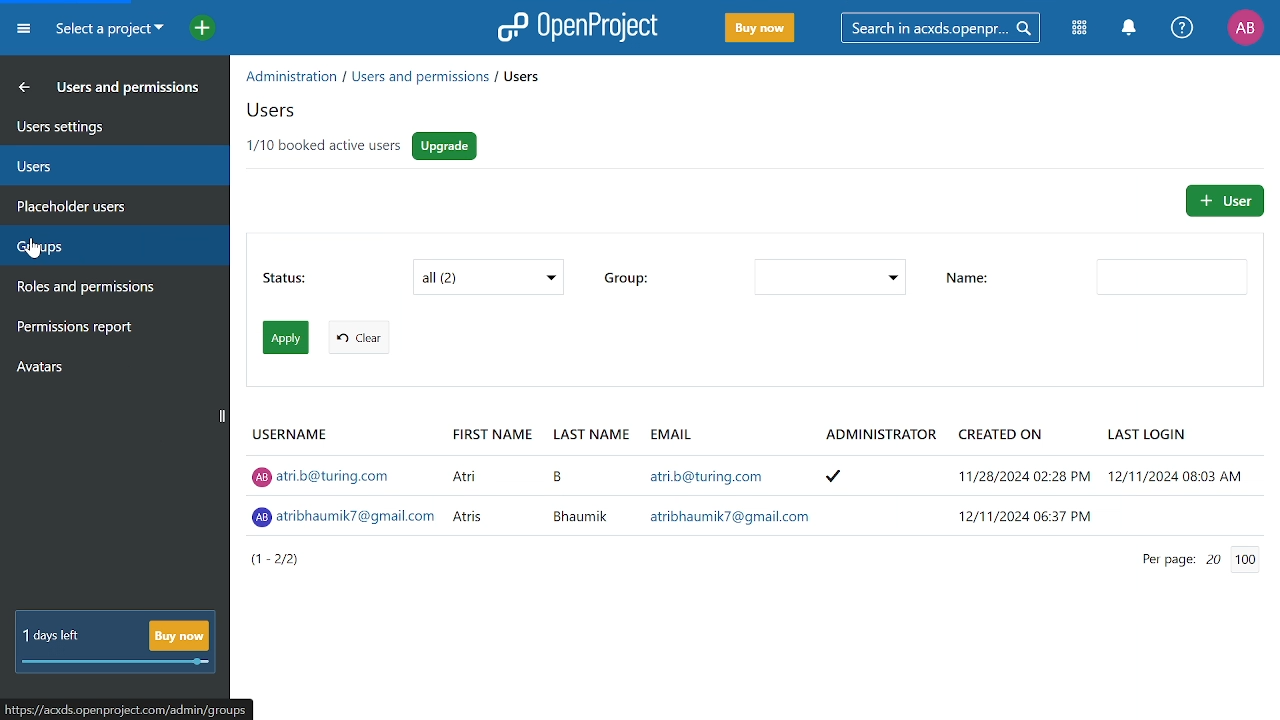  Describe the element at coordinates (128, 707) in the screenshot. I see `path` at that location.